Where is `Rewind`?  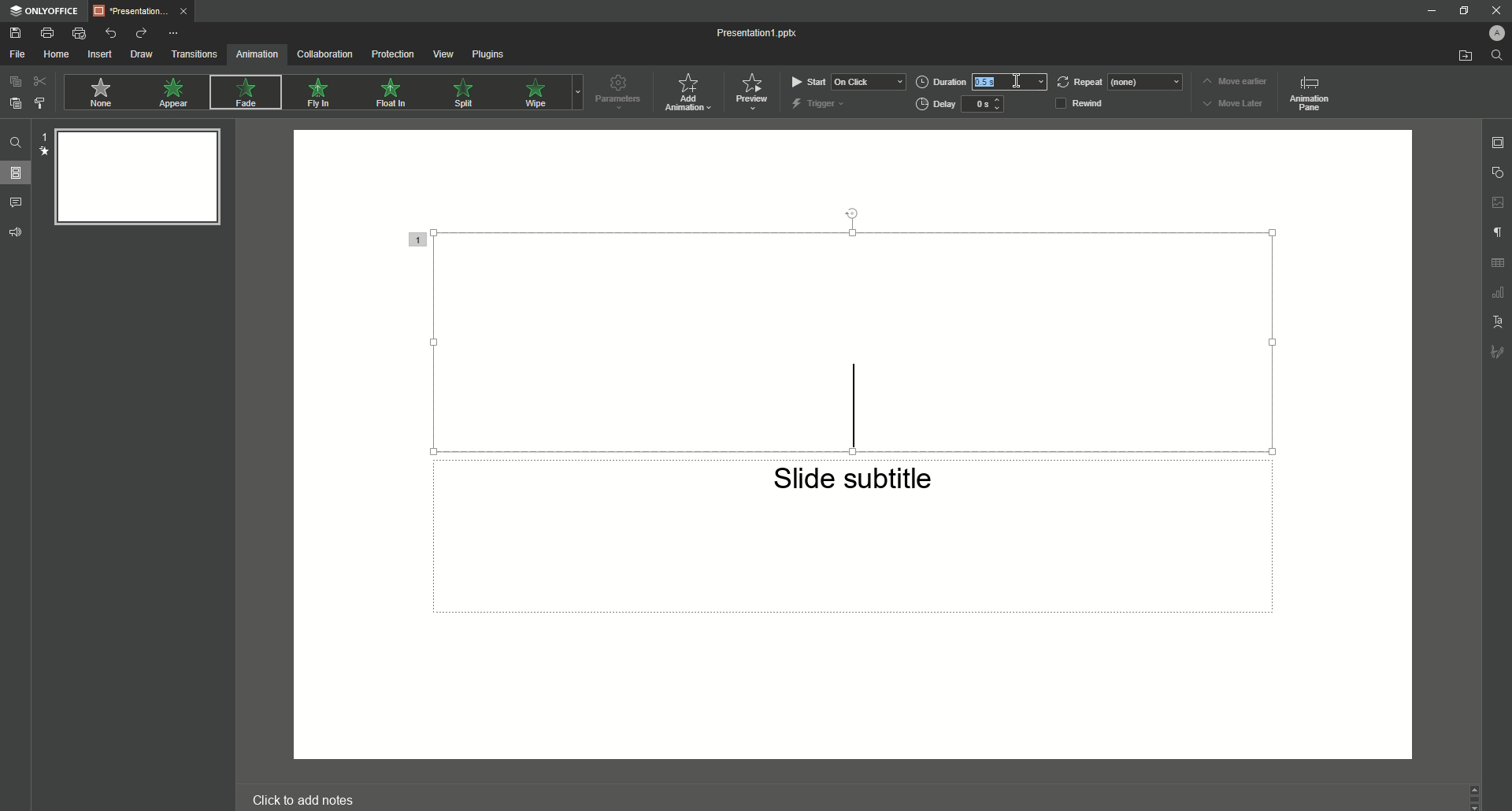 Rewind is located at coordinates (1085, 104).